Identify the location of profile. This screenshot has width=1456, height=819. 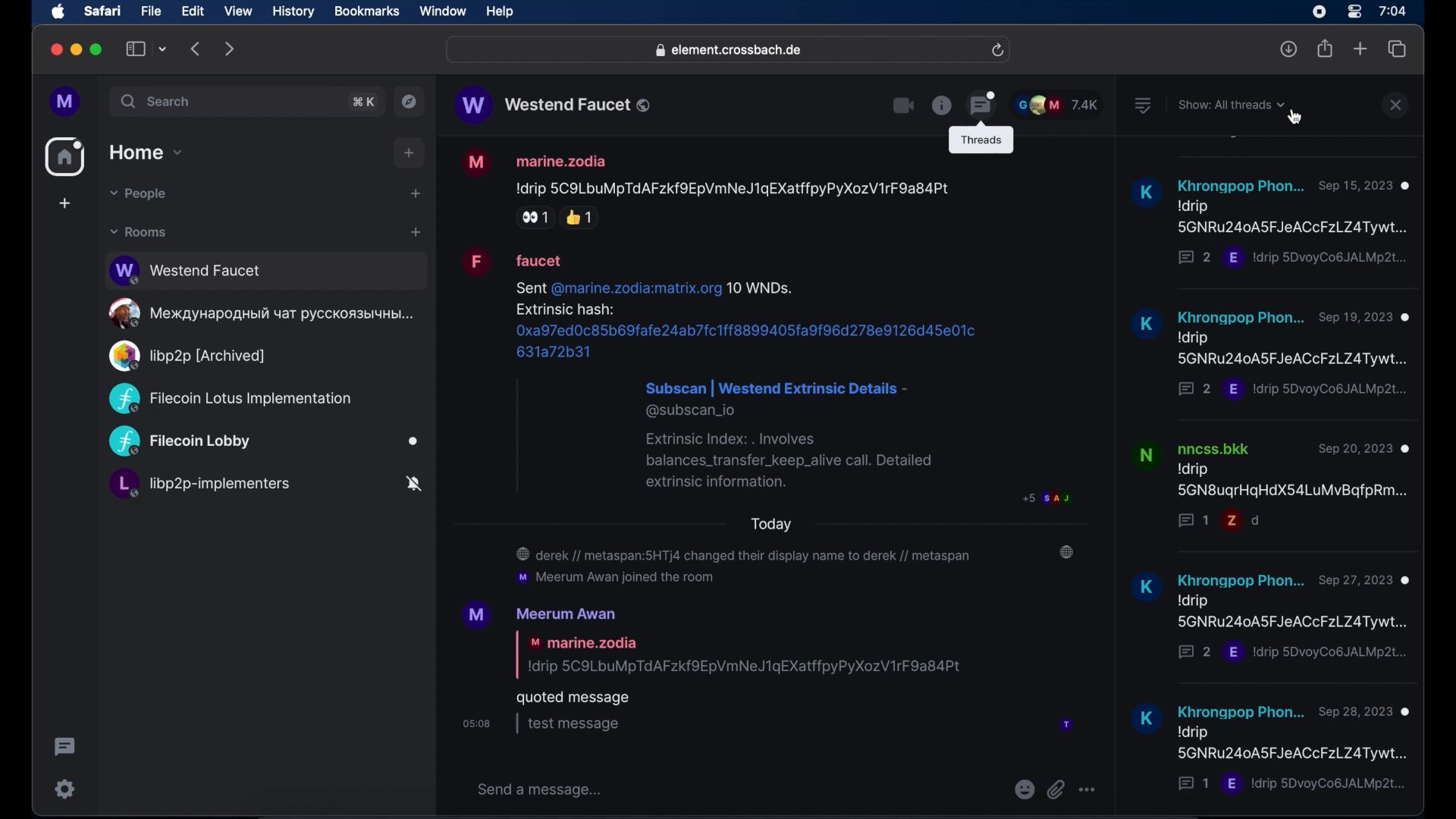
(66, 102).